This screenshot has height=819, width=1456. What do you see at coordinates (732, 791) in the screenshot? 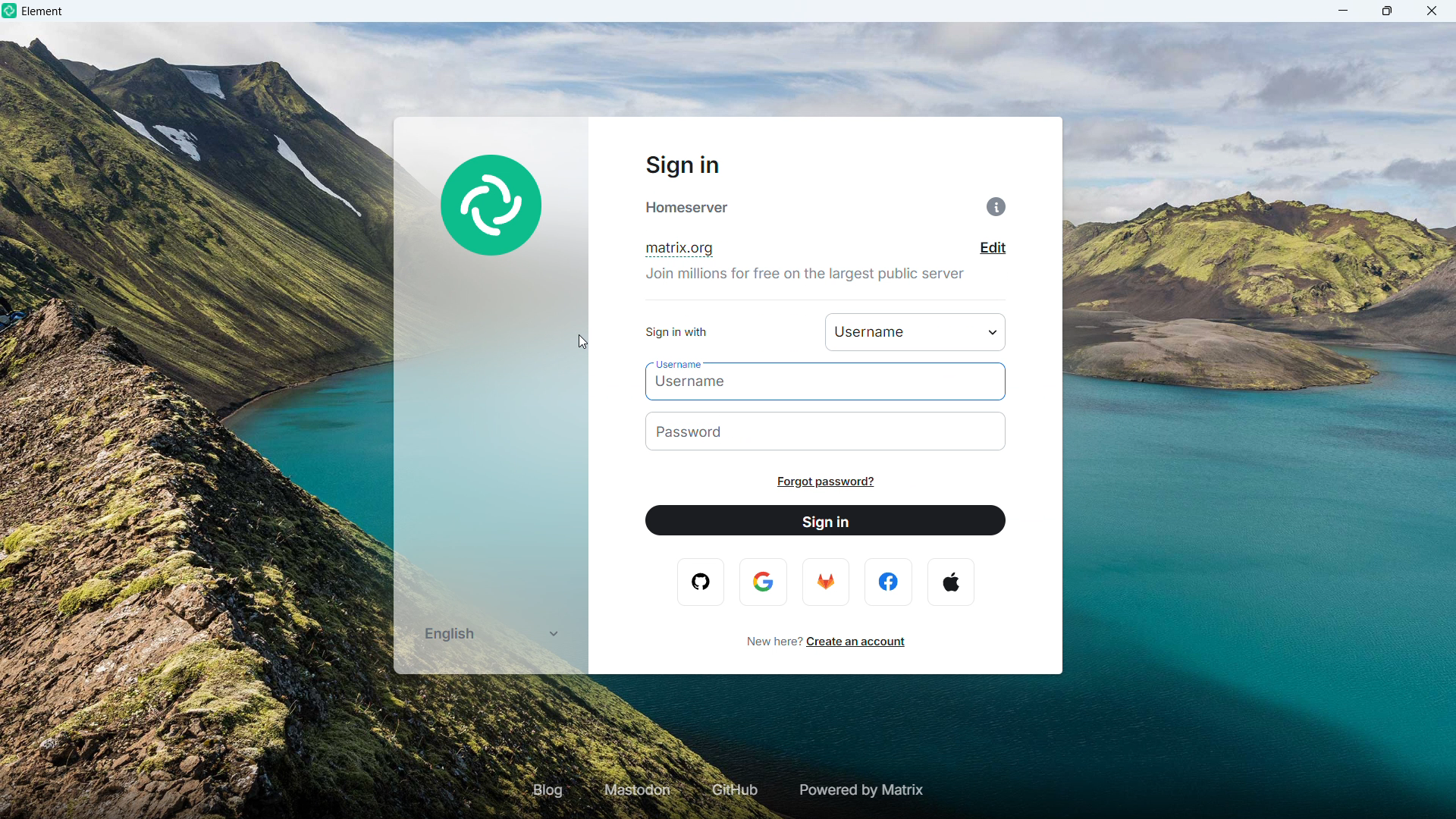
I see `GIT hub ` at bounding box center [732, 791].